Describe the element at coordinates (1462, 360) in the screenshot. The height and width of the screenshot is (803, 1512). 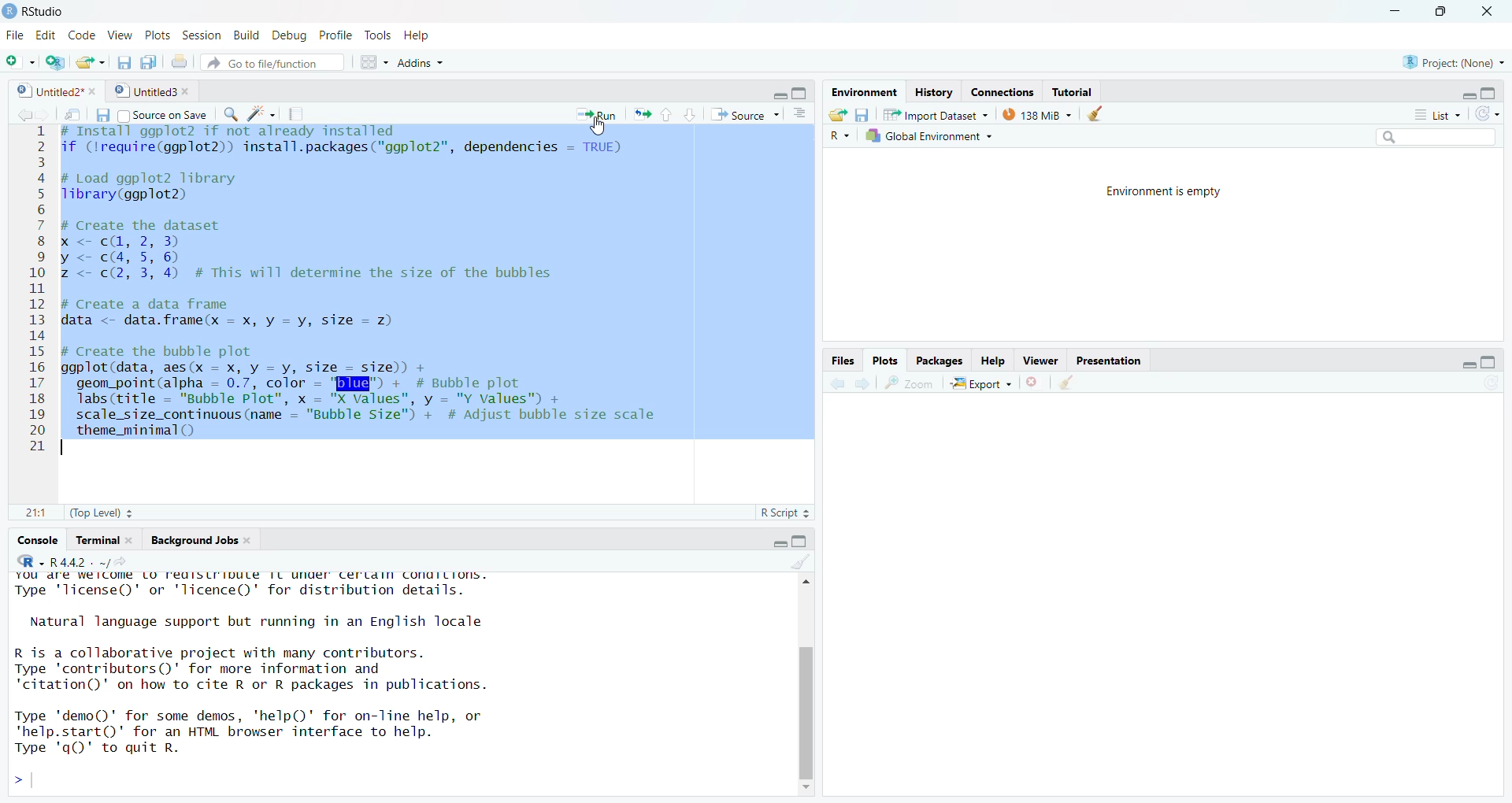
I see `maximize/minimize` at that location.